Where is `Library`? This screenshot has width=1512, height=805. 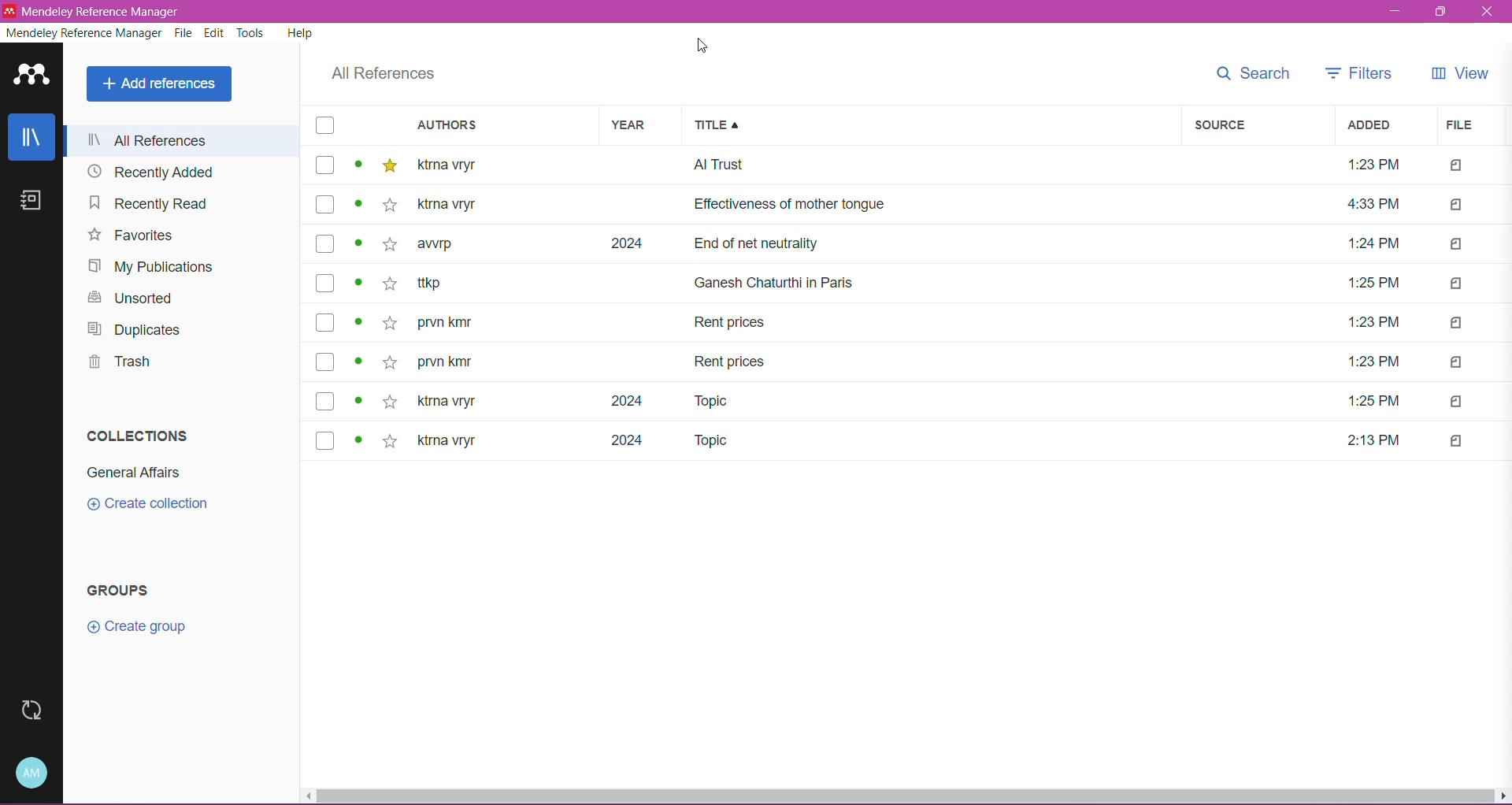 Library is located at coordinates (35, 139).